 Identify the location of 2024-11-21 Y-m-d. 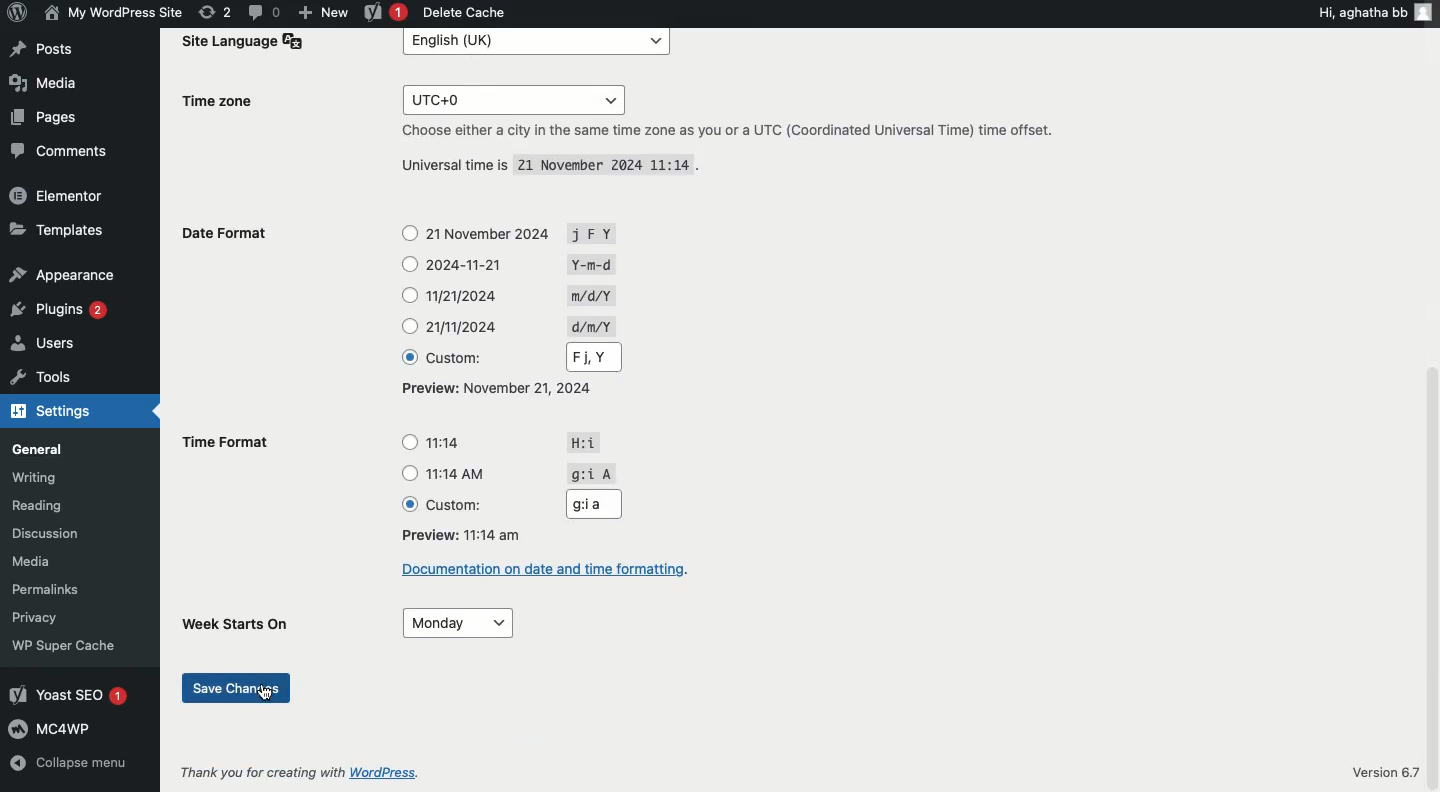
(524, 264).